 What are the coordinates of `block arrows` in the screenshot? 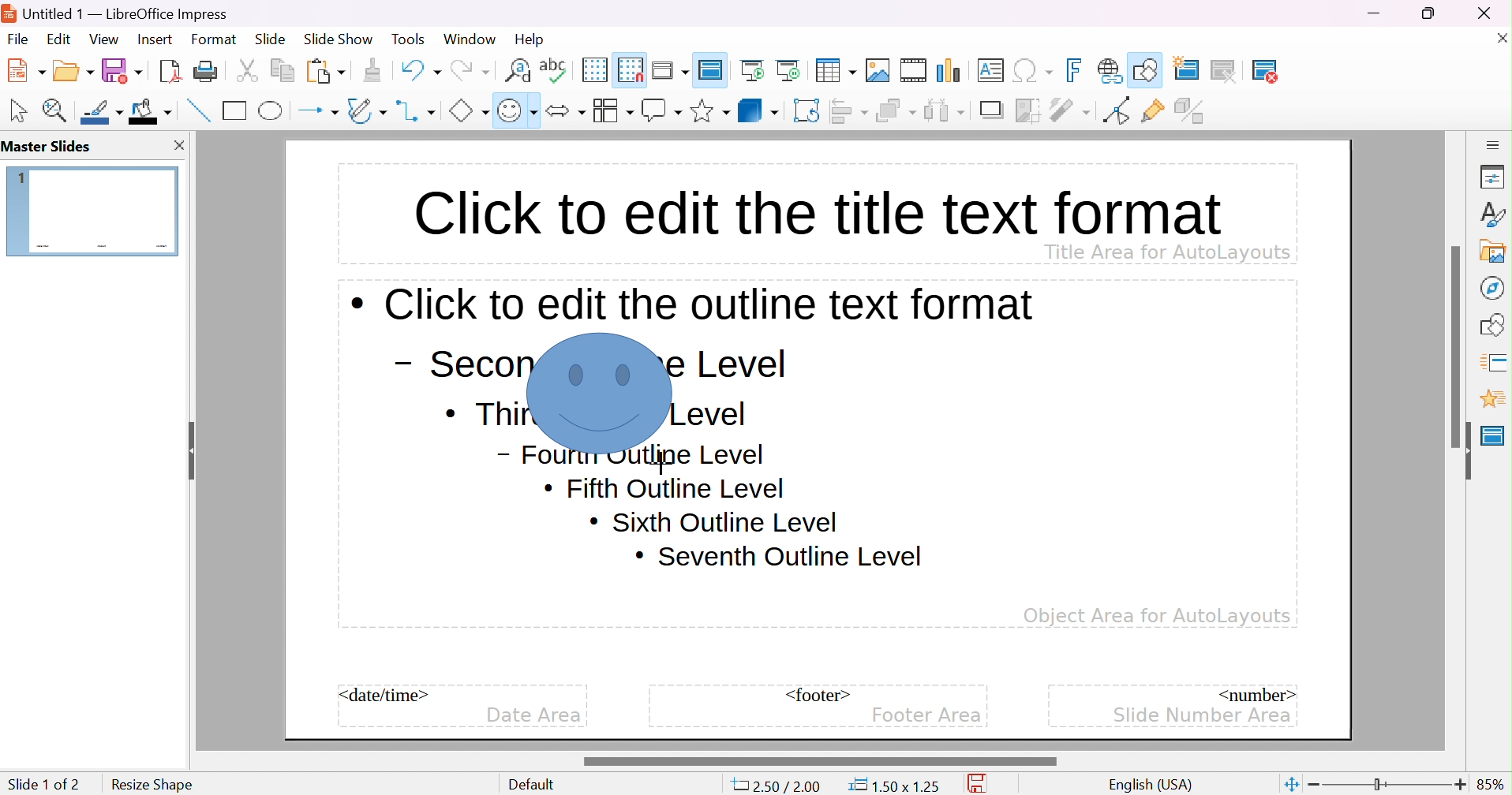 It's located at (565, 110).